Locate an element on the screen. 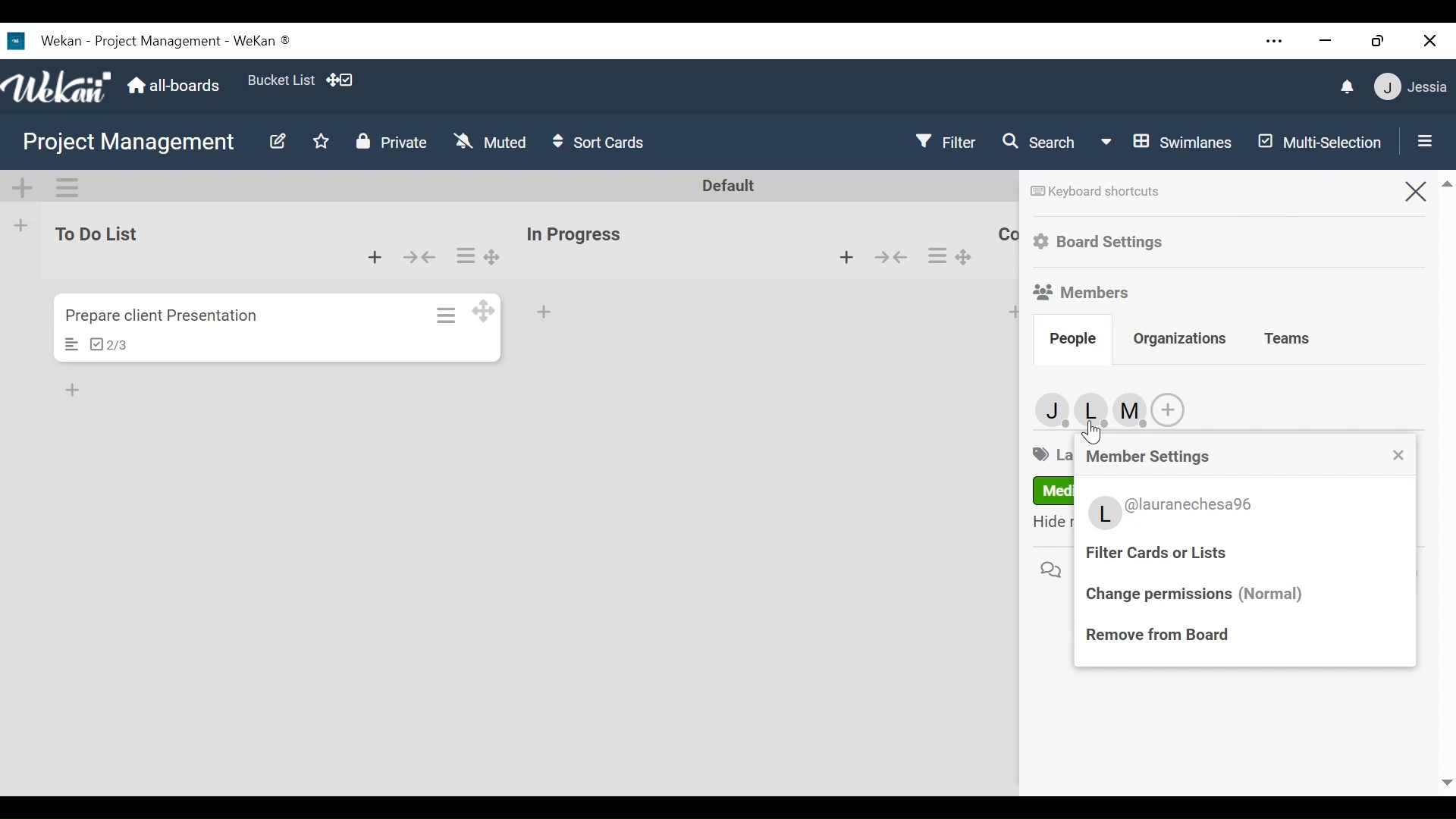  Add card to the bottom of the list is located at coordinates (847, 257).